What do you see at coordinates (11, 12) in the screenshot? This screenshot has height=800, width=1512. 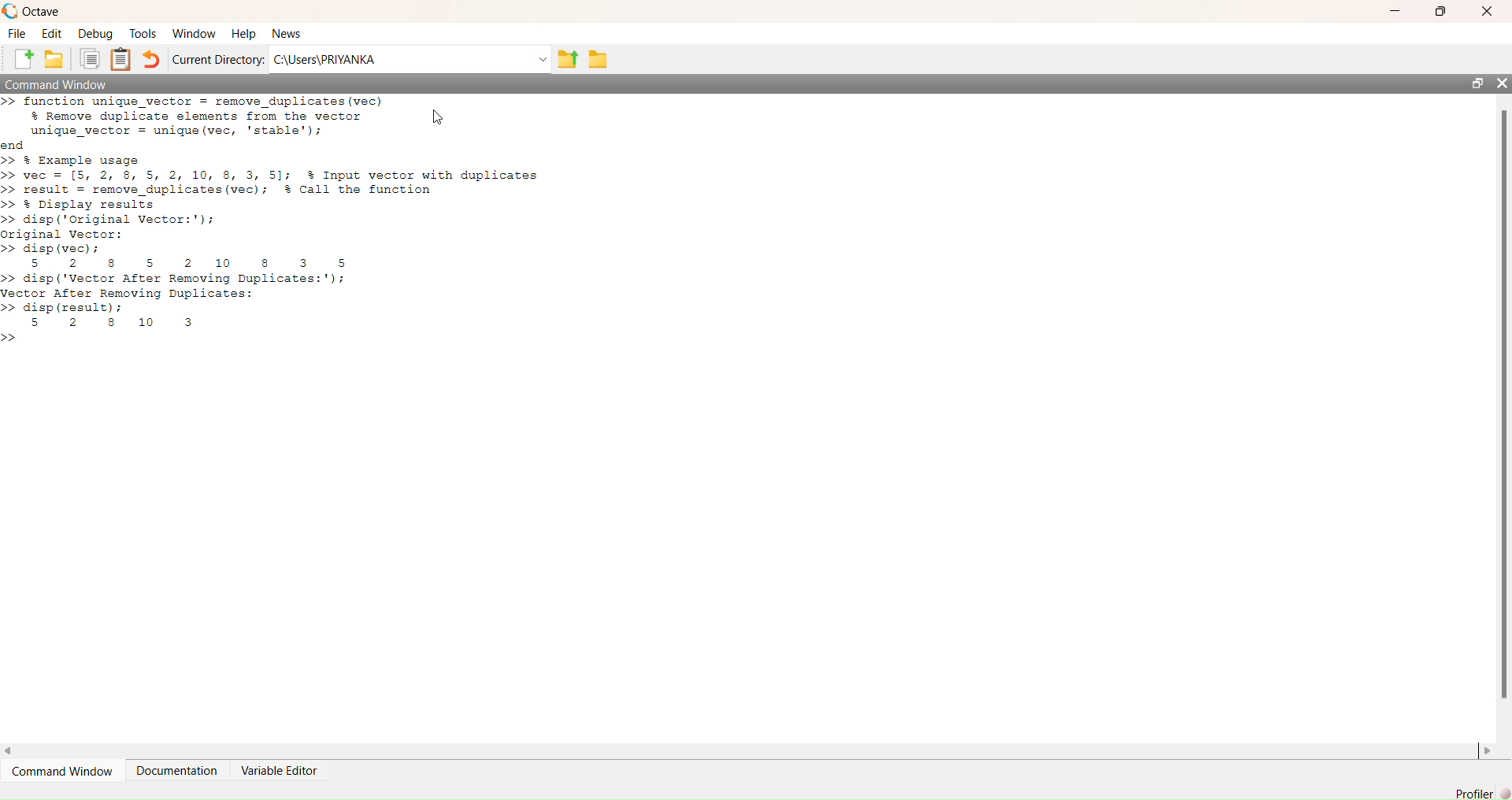 I see `logo` at bounding box center [11, 12].